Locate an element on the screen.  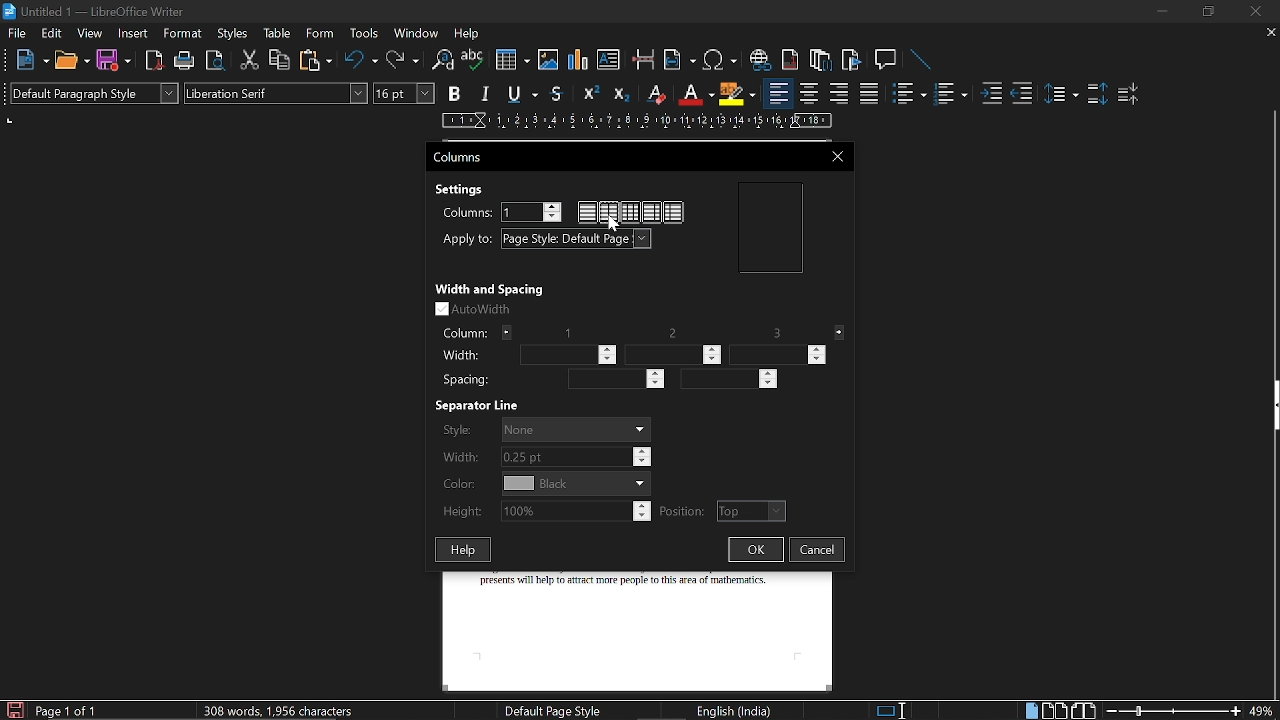
Toggle unordered list is located at coordinates (909, 94).